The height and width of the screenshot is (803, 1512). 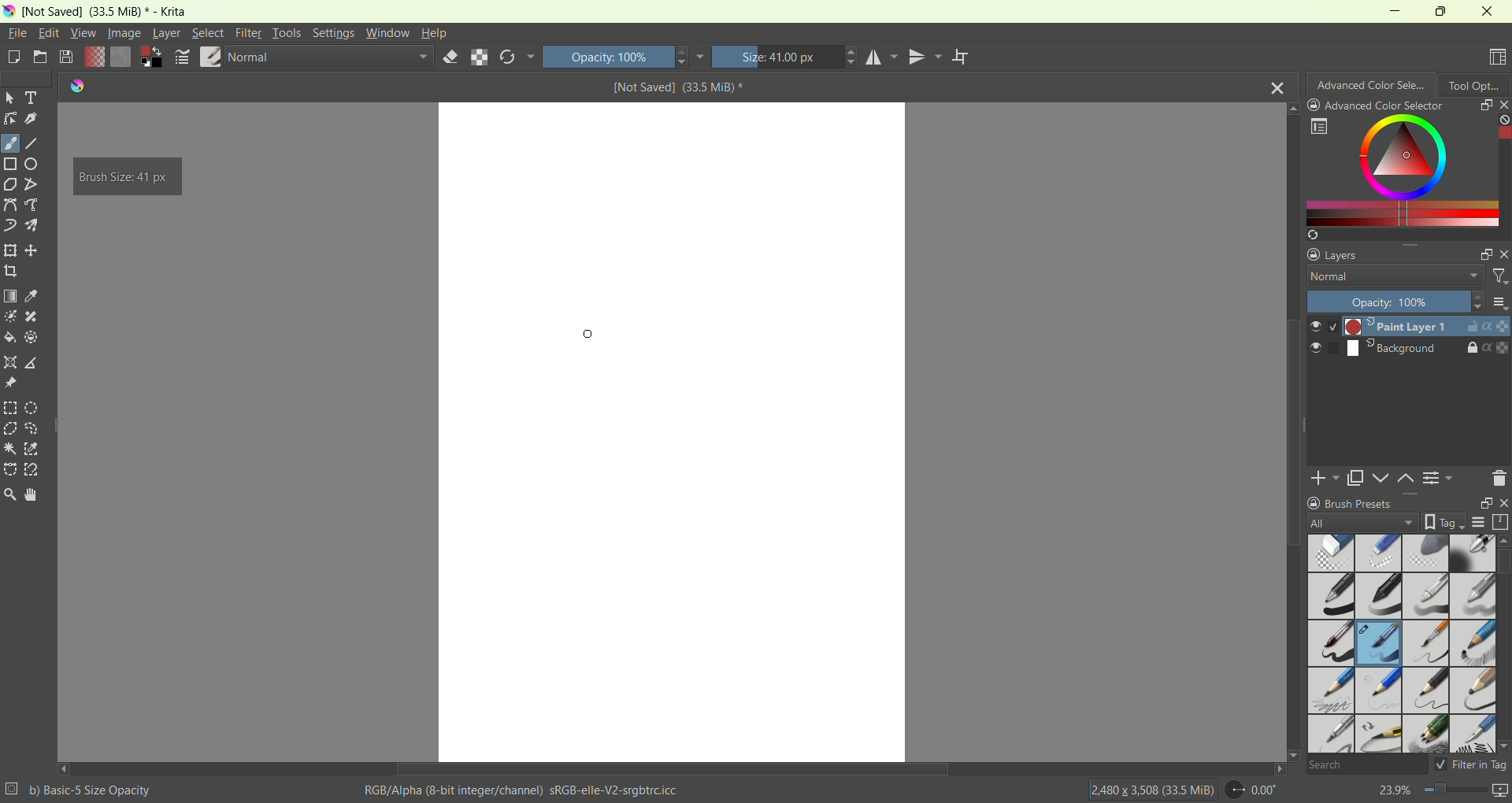 I want to click on move layer up, so click(x=1407, y=479).